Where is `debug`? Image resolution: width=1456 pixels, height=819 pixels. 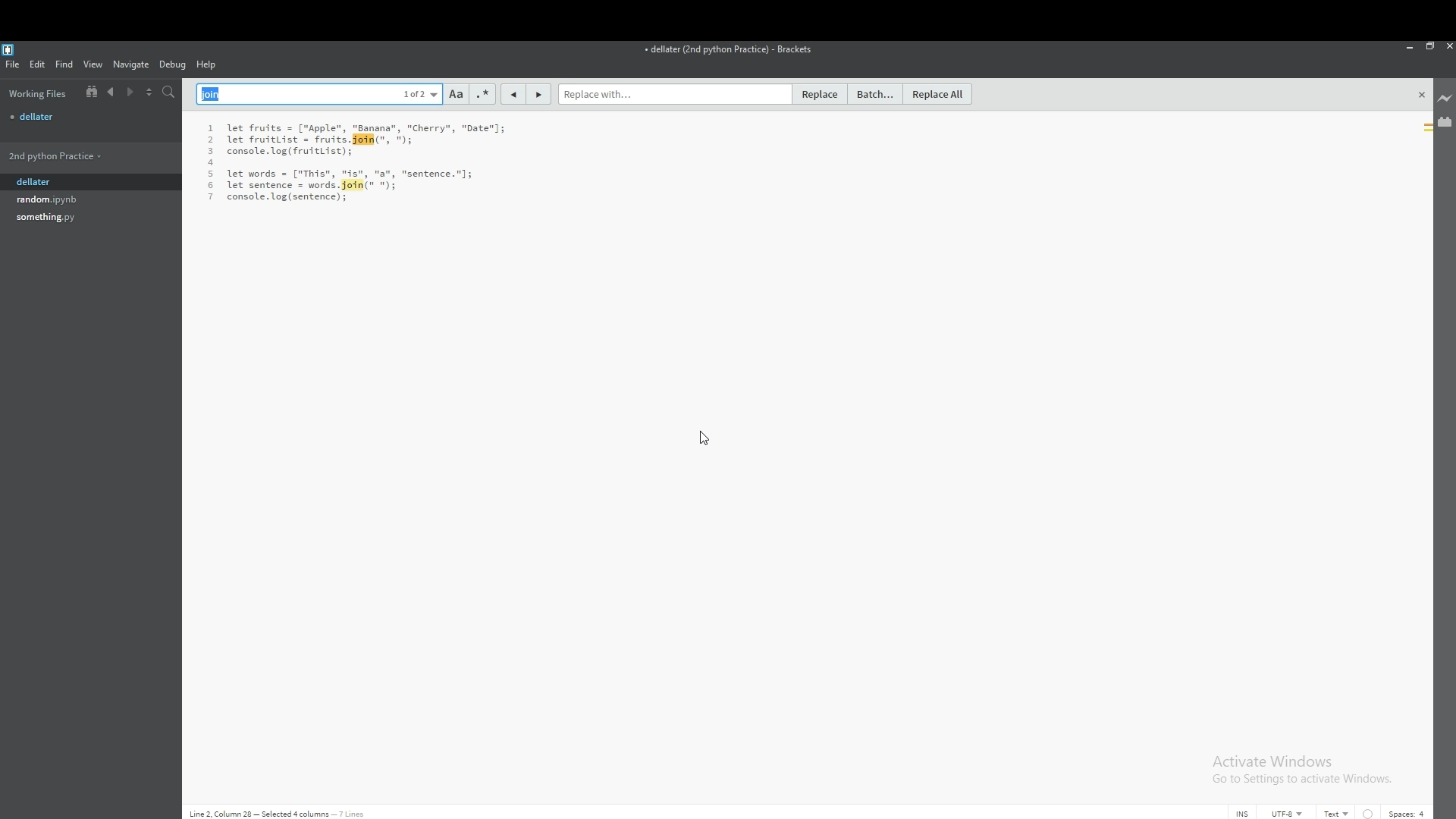
debug is located at coordinates (173, 64).